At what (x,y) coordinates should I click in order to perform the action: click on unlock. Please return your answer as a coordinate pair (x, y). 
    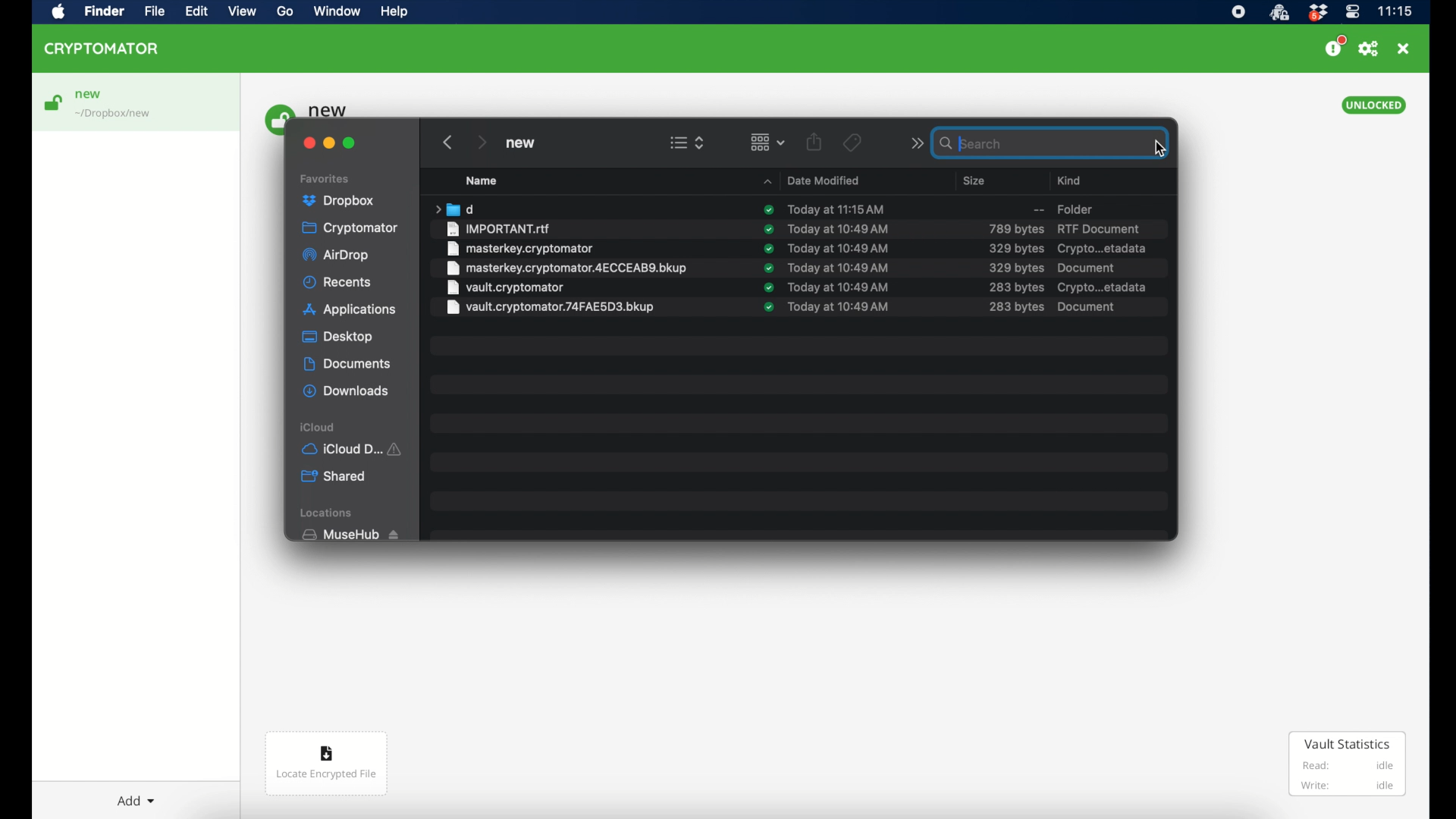
    Looking at the image, I should click on (52, 102).